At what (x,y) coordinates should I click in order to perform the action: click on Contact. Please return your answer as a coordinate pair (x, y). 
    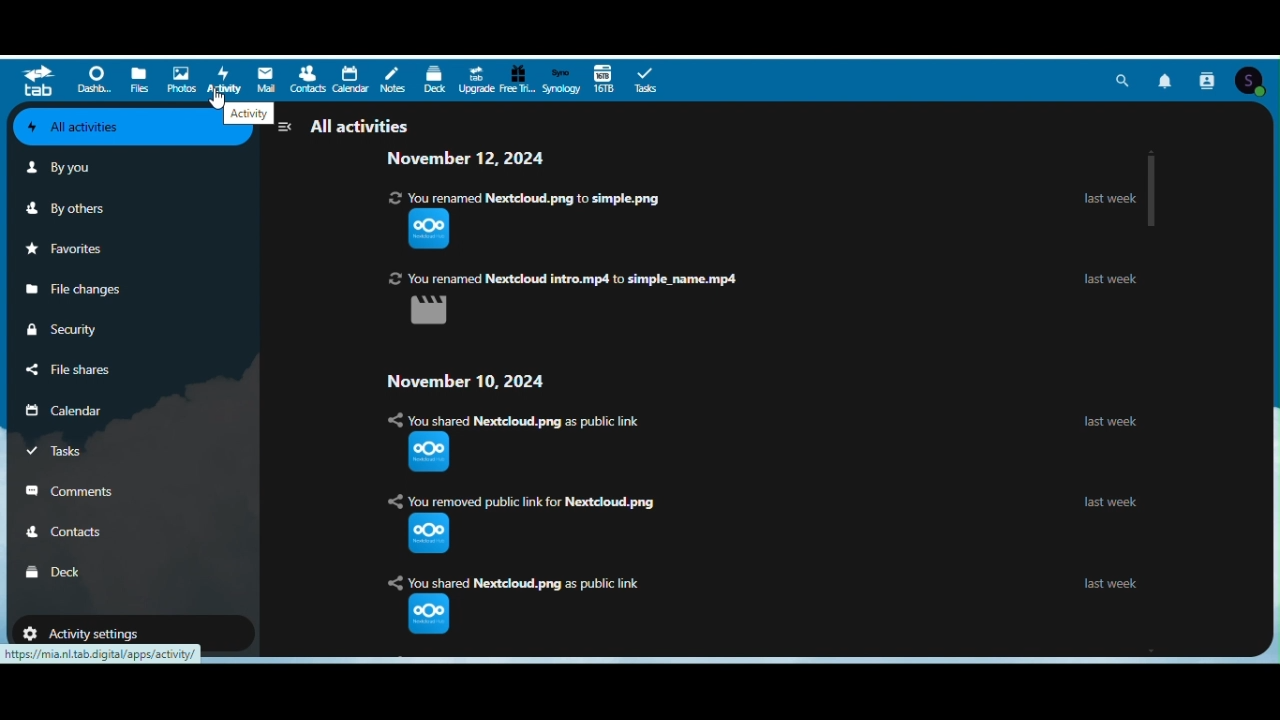
    Looking at the image, I should click on (1208, 78).